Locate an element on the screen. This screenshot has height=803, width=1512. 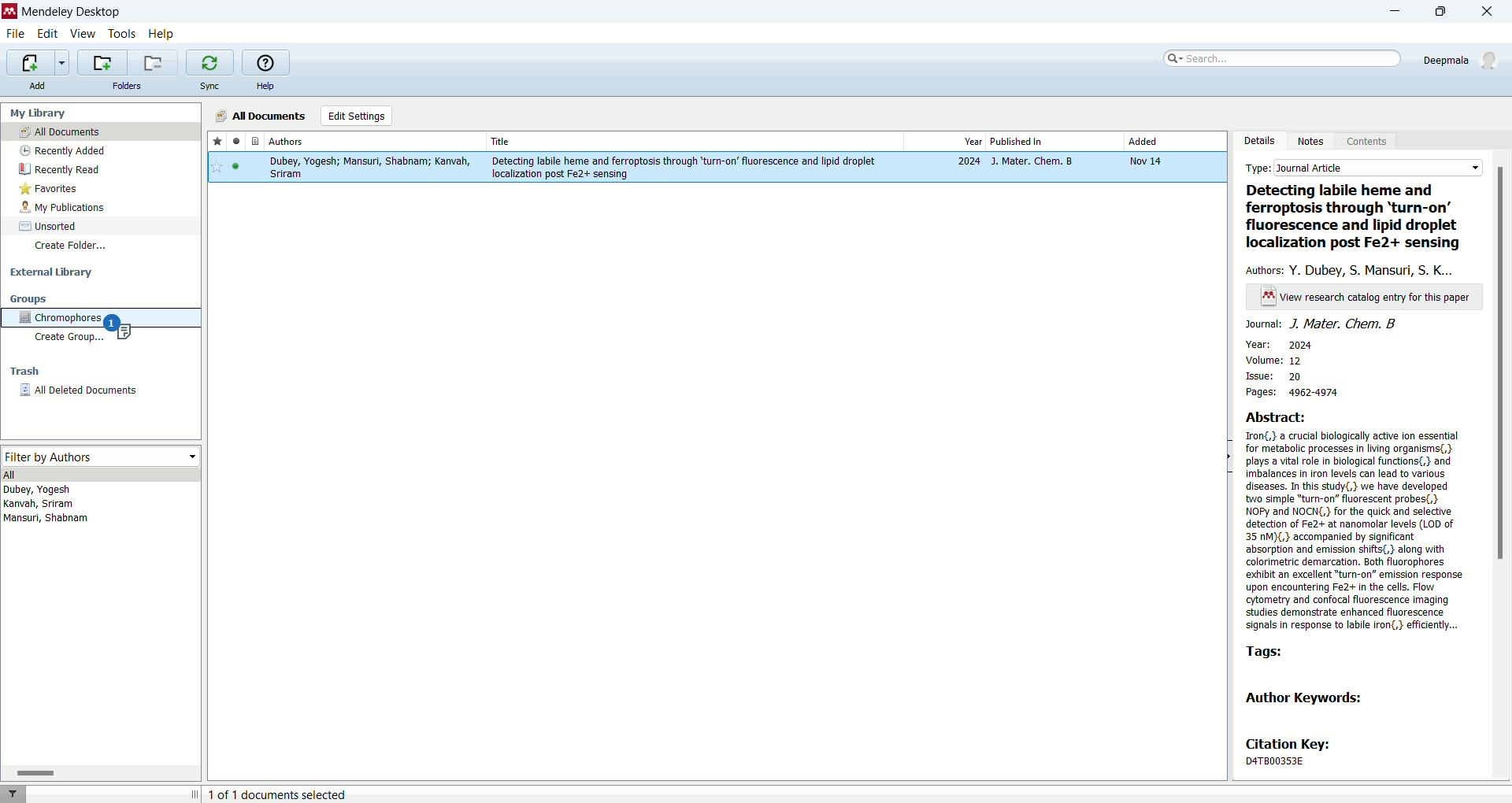
search is located at coordinates (1284, 57).